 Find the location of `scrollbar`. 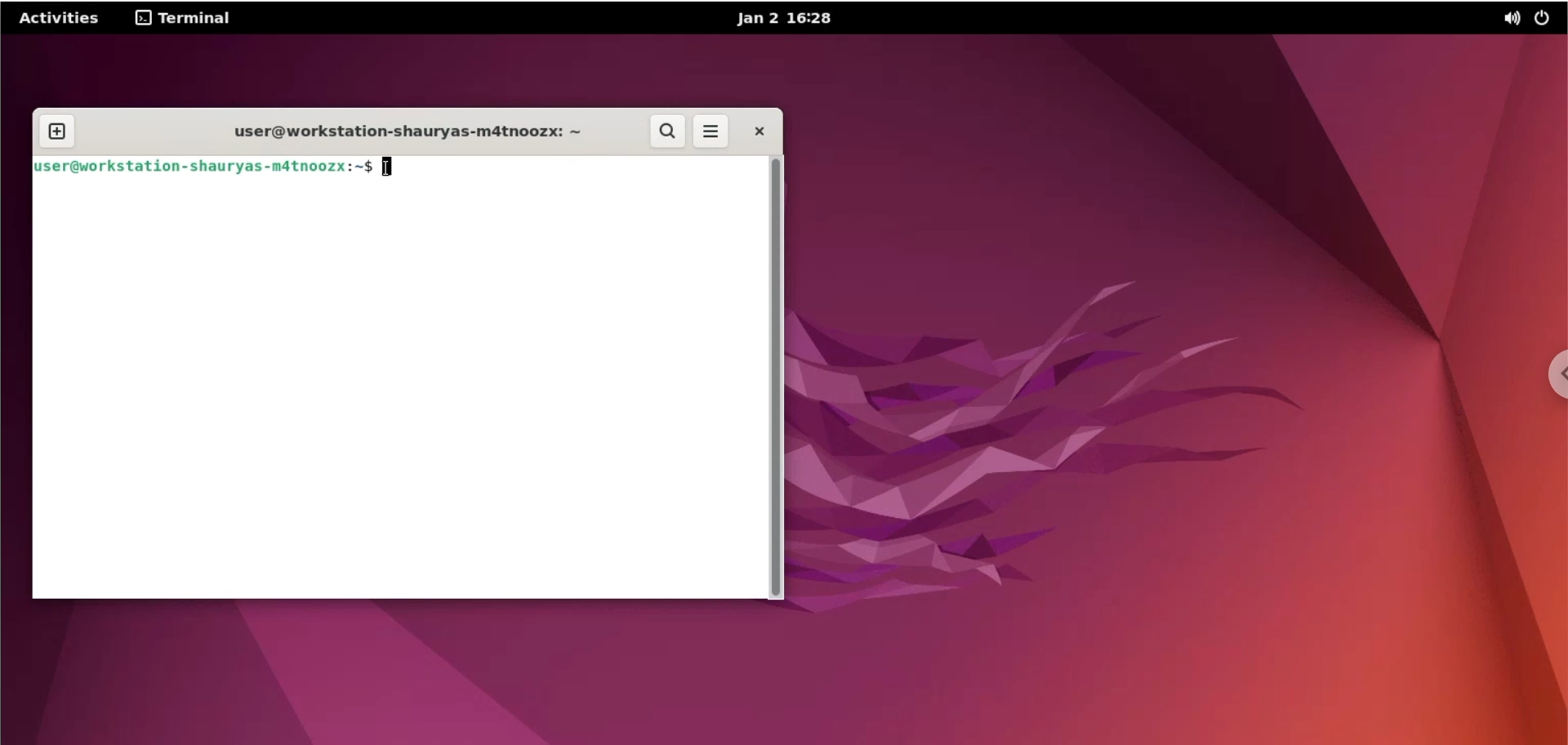

scrollbar is located at coordinates (777, 379).